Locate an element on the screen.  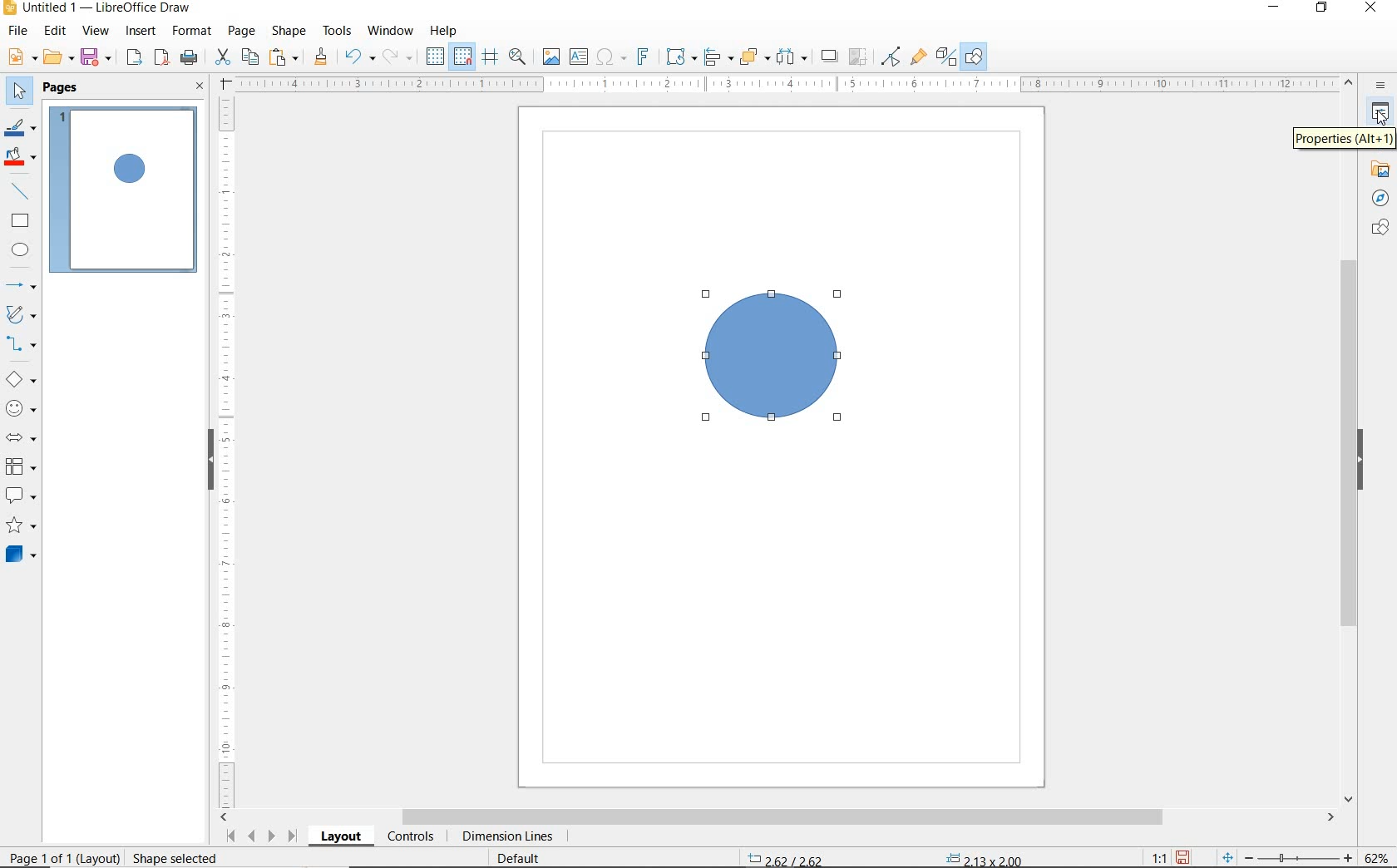
PAGE 1 is located at coordinates (126, 190).